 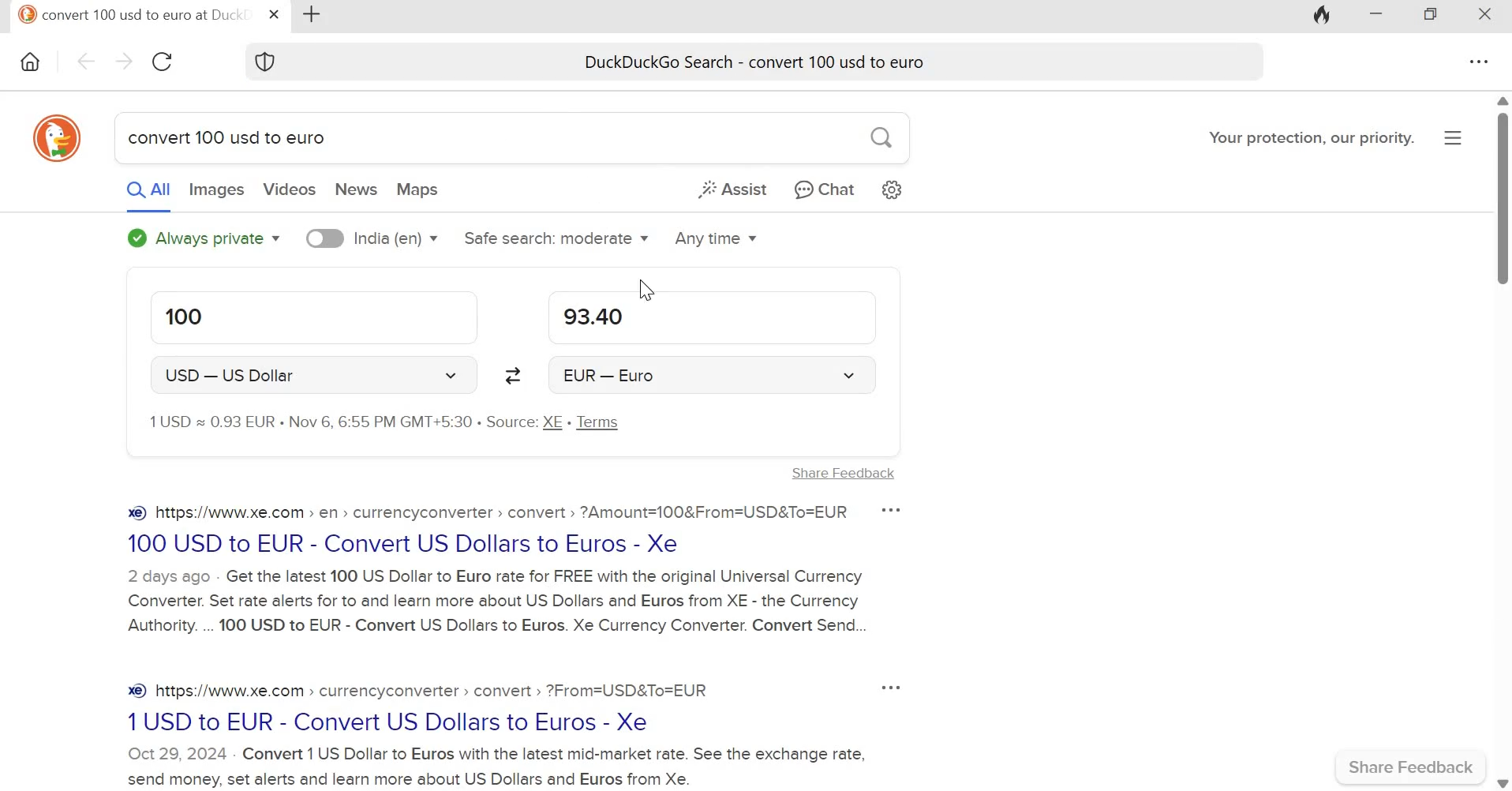 What do you see at coordinates (313, 319) in the screenshot?
I see `100` at bounding box center [313, 319].